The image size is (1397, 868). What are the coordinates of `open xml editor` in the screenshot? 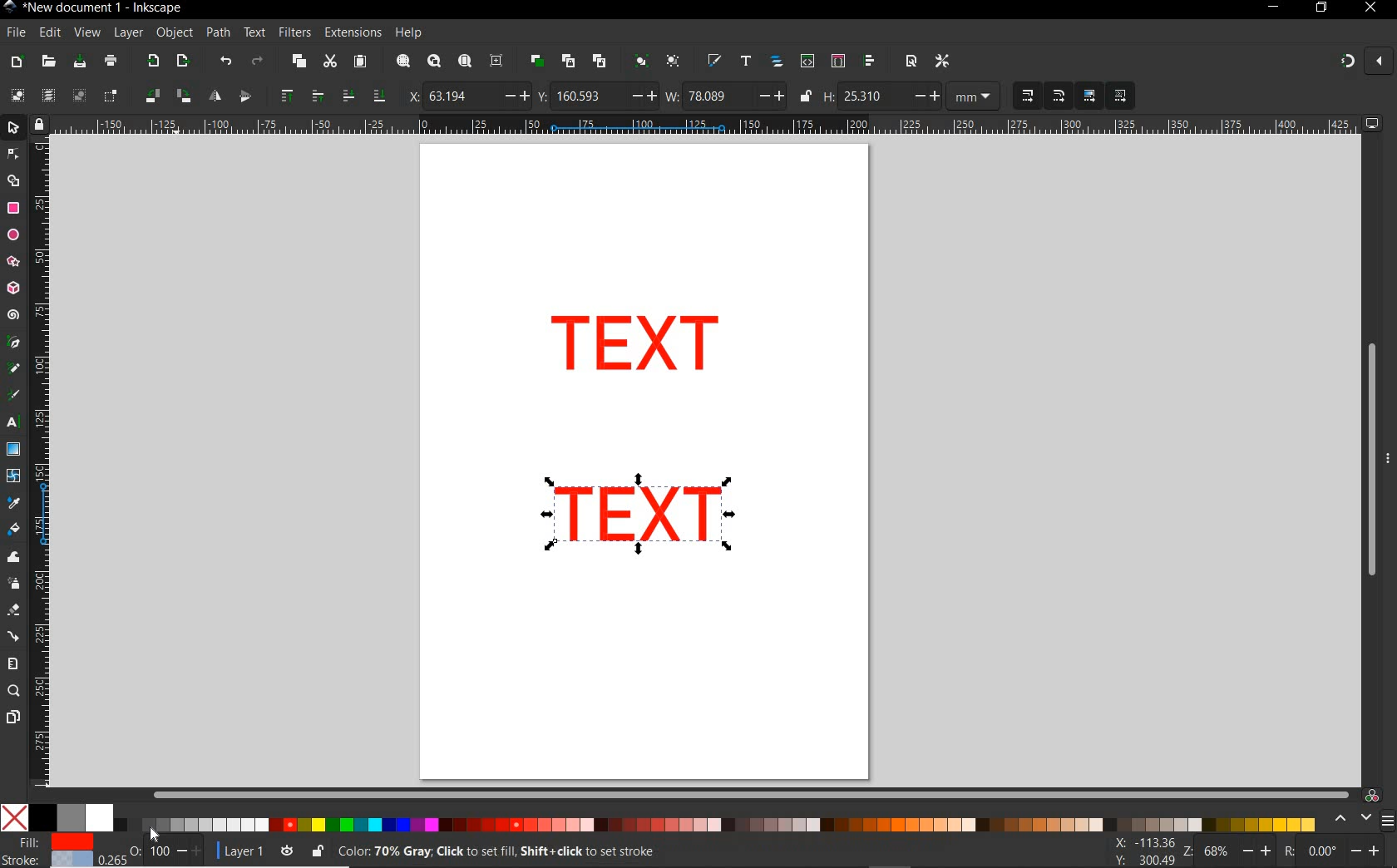 It's located at (806, 62).